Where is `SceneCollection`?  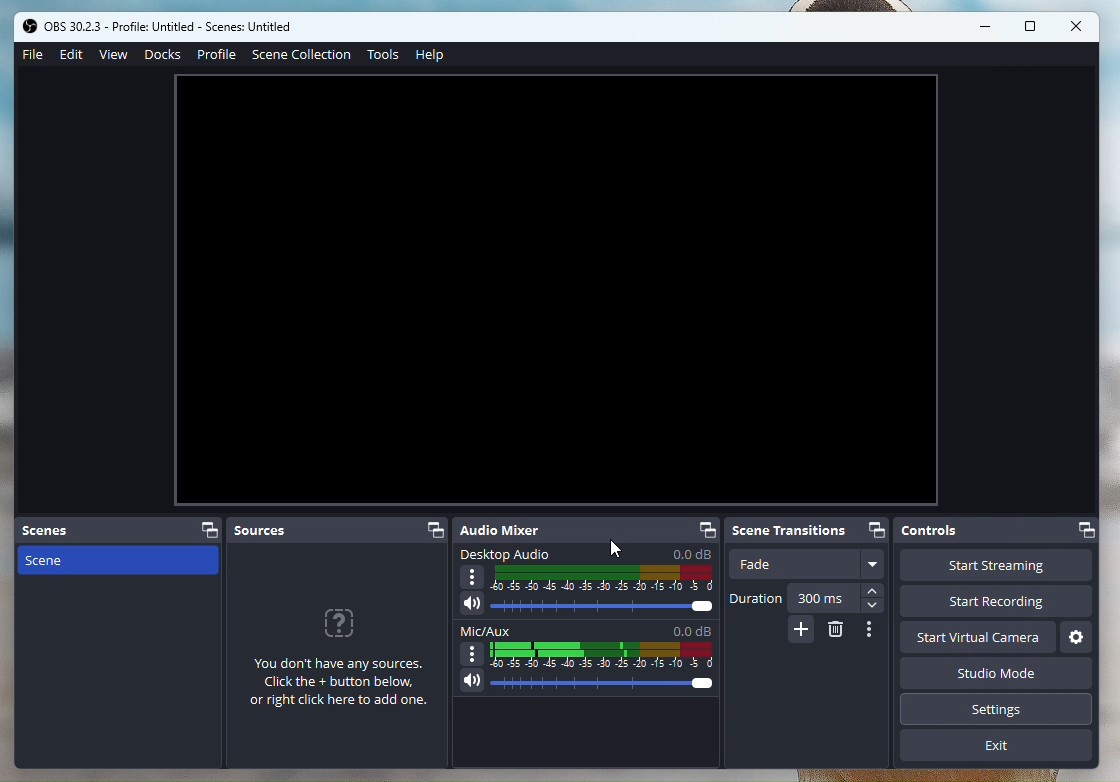
SceneCollection is located at coordinates (301, 54).